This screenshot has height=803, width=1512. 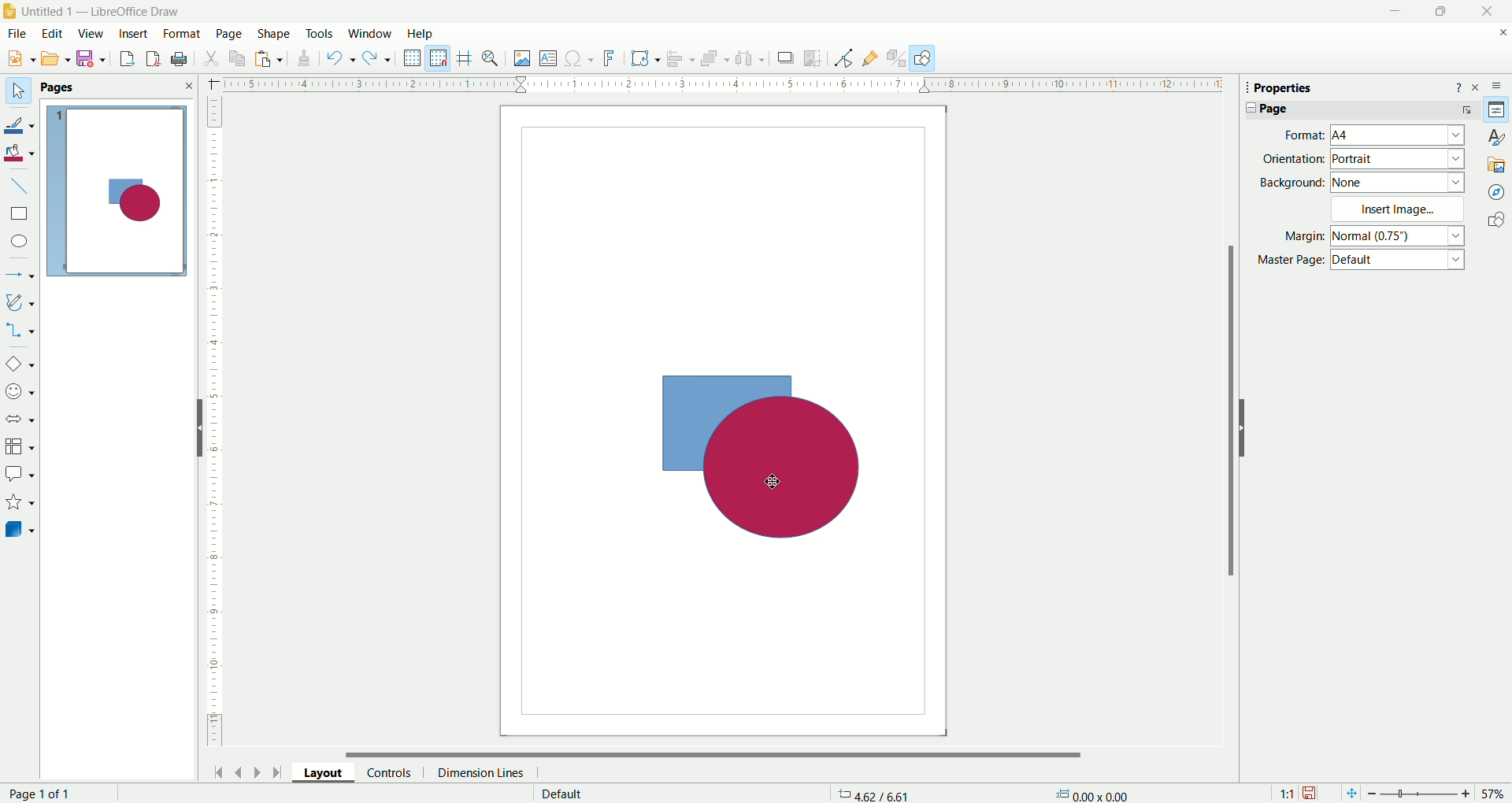 What do you see at coordinates (15, 88) in the screenshot?
I see `select` at bounding box center [15, 88].